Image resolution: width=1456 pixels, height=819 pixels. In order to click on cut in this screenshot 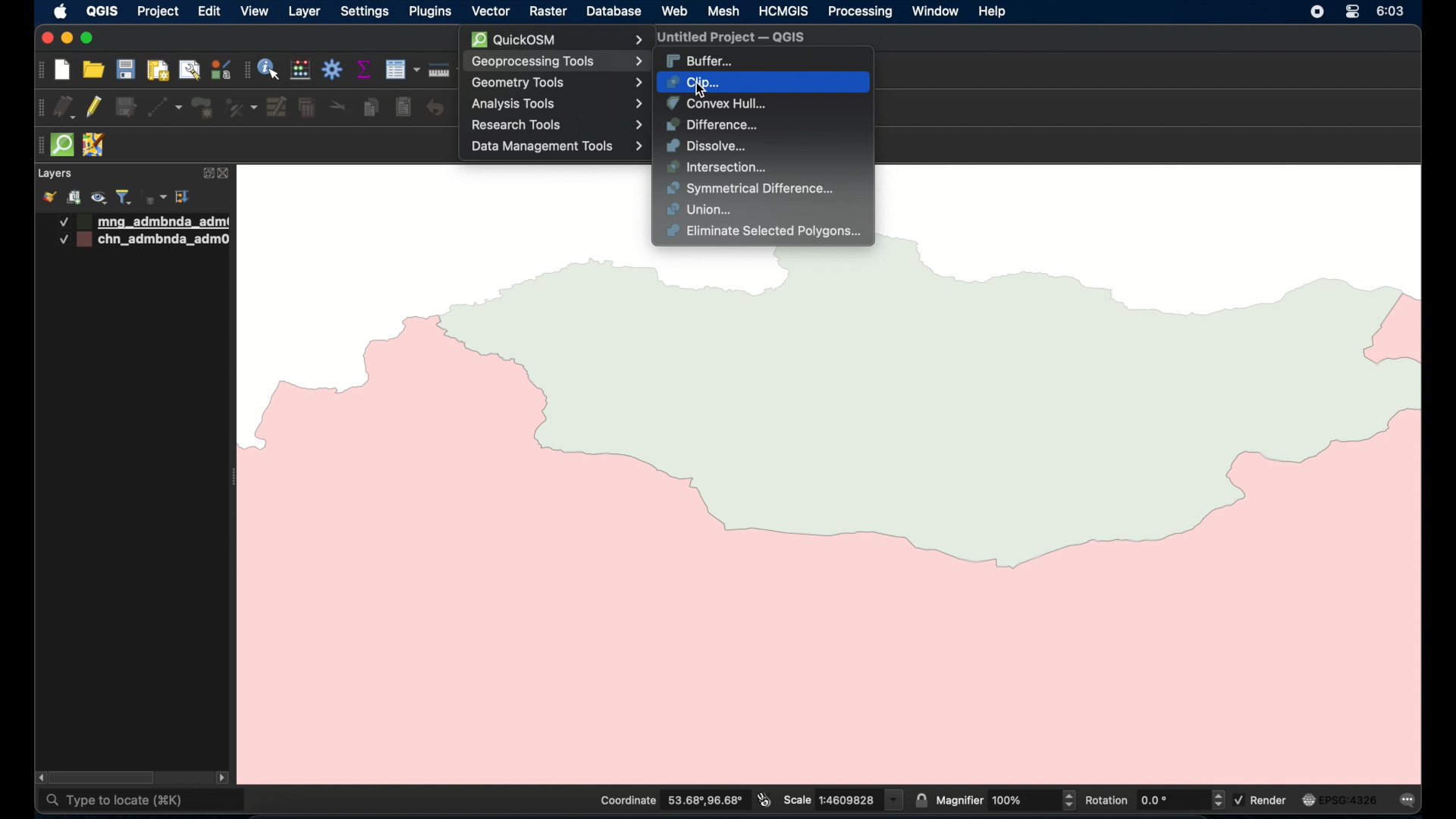, I will do `click(338, 105)`.